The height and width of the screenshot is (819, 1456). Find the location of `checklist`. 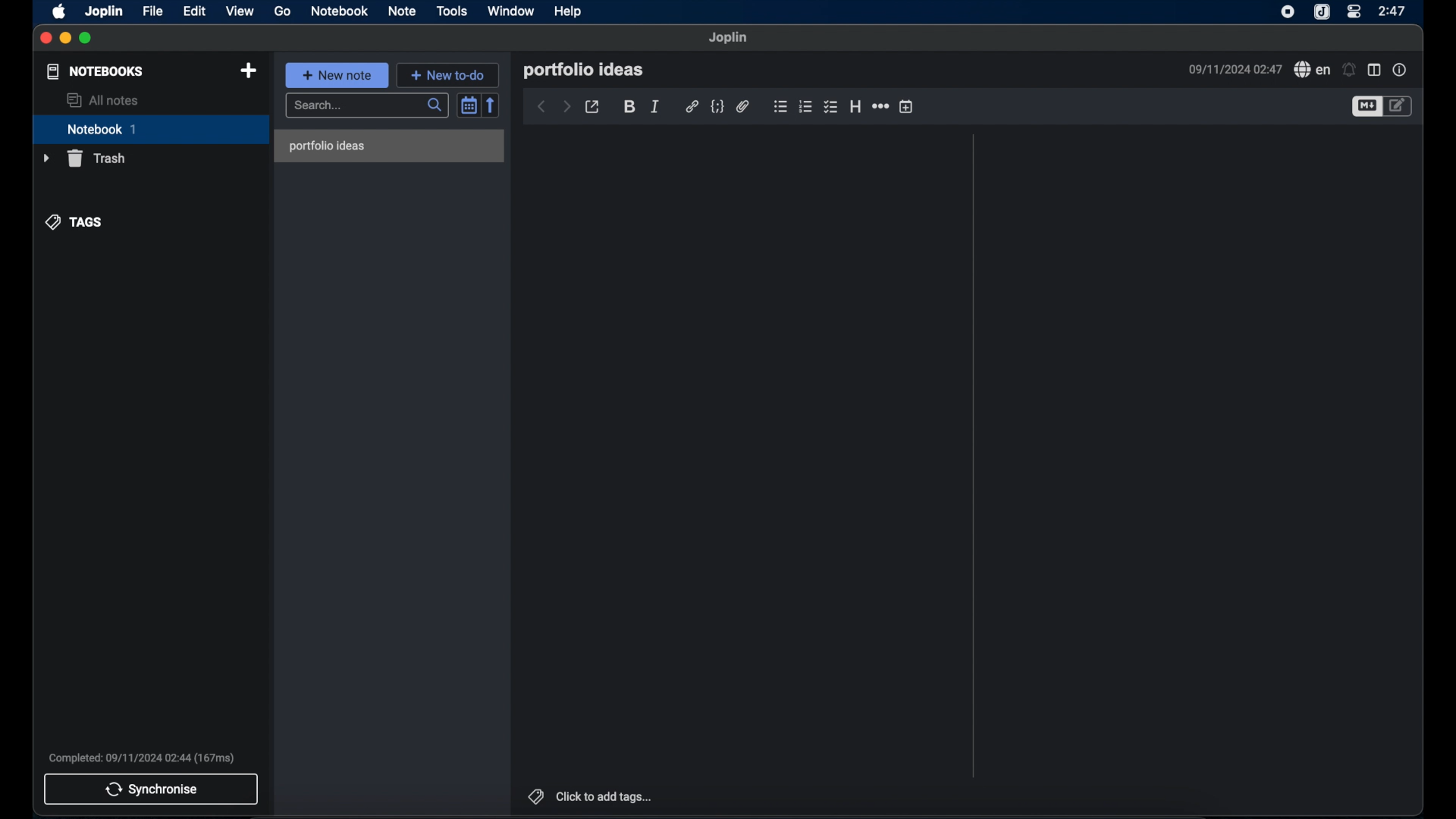

checklist is located at coordinates (830, 108).